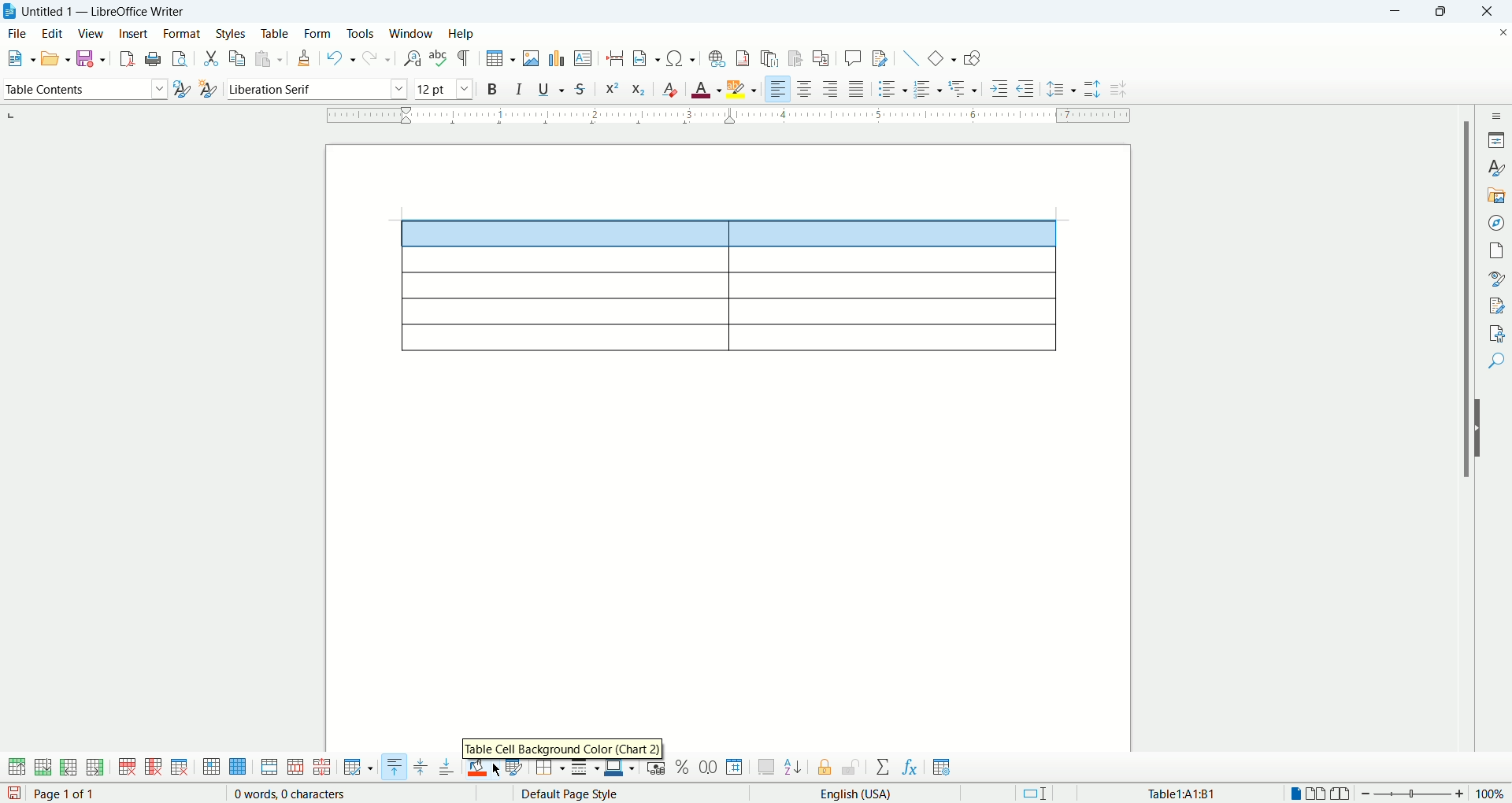 The width and height of the screenshot is (1512, 803). What do you see at coordinates (682, 57) in the screenshot?
I see `insert symbol` at bounding box center [682, 57].